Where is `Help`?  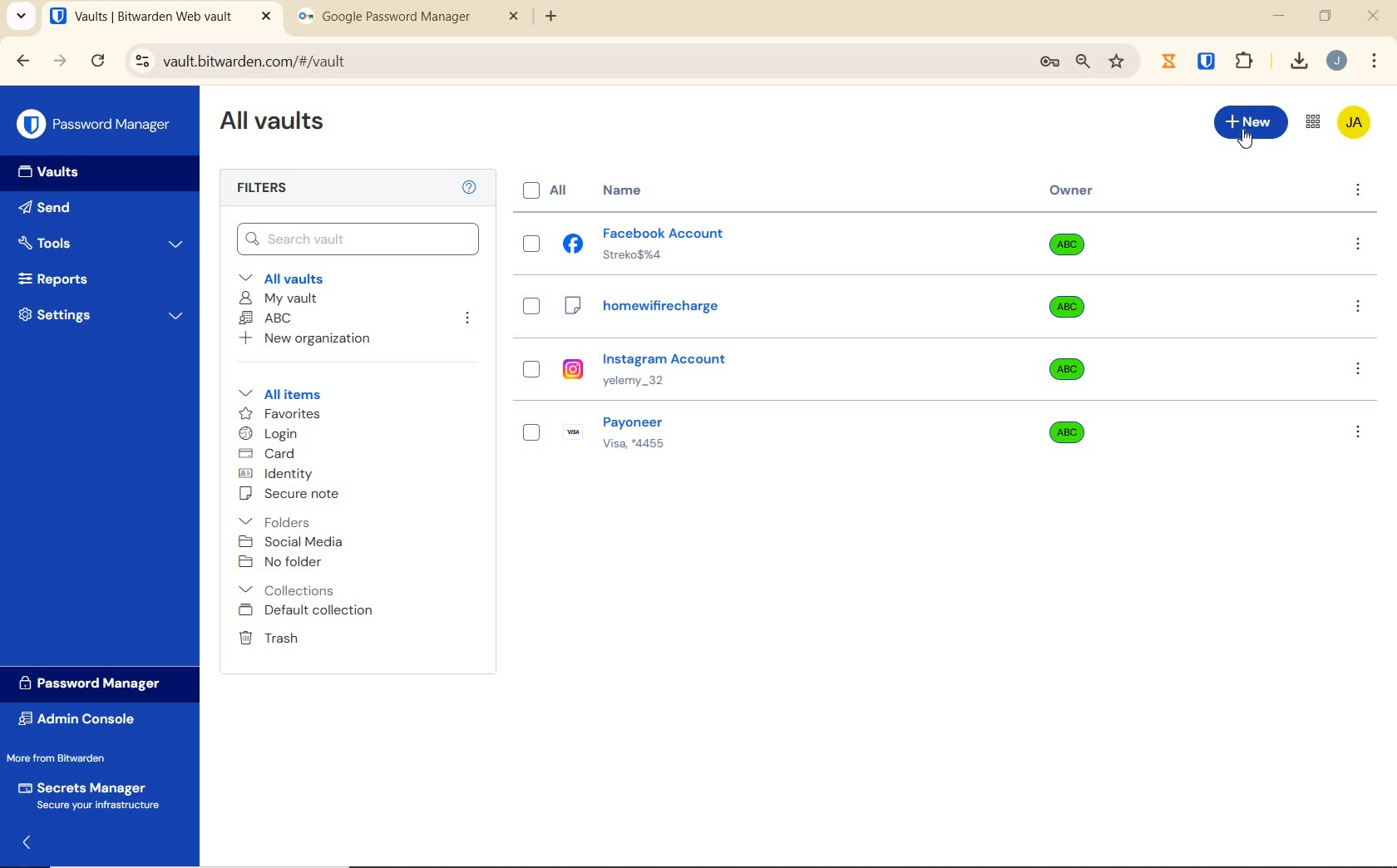 Help is located at coordinates (471, 186).